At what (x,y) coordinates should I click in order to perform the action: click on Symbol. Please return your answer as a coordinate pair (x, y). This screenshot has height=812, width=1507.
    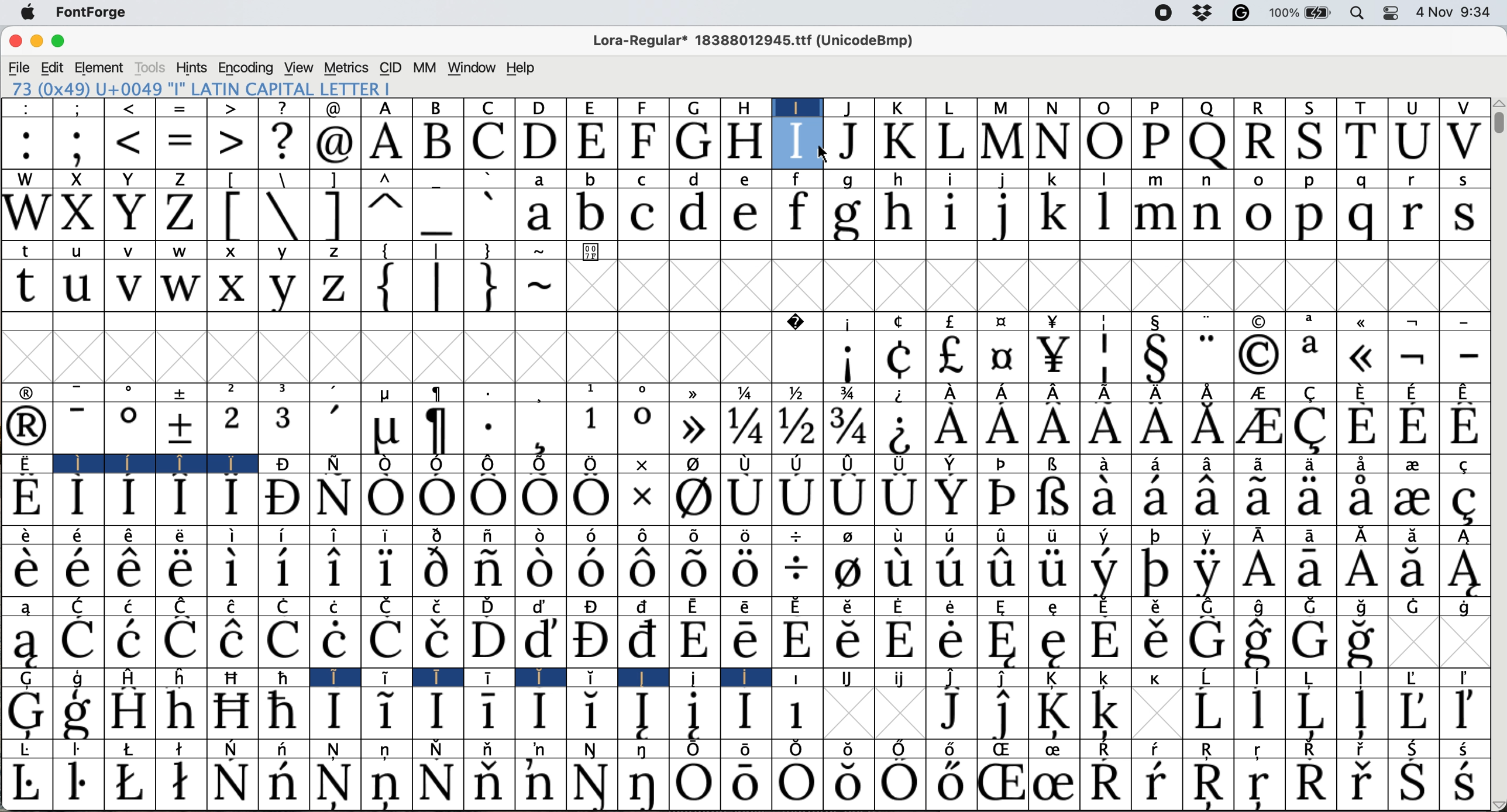
    Looking at the image, I should click on (132, 605).